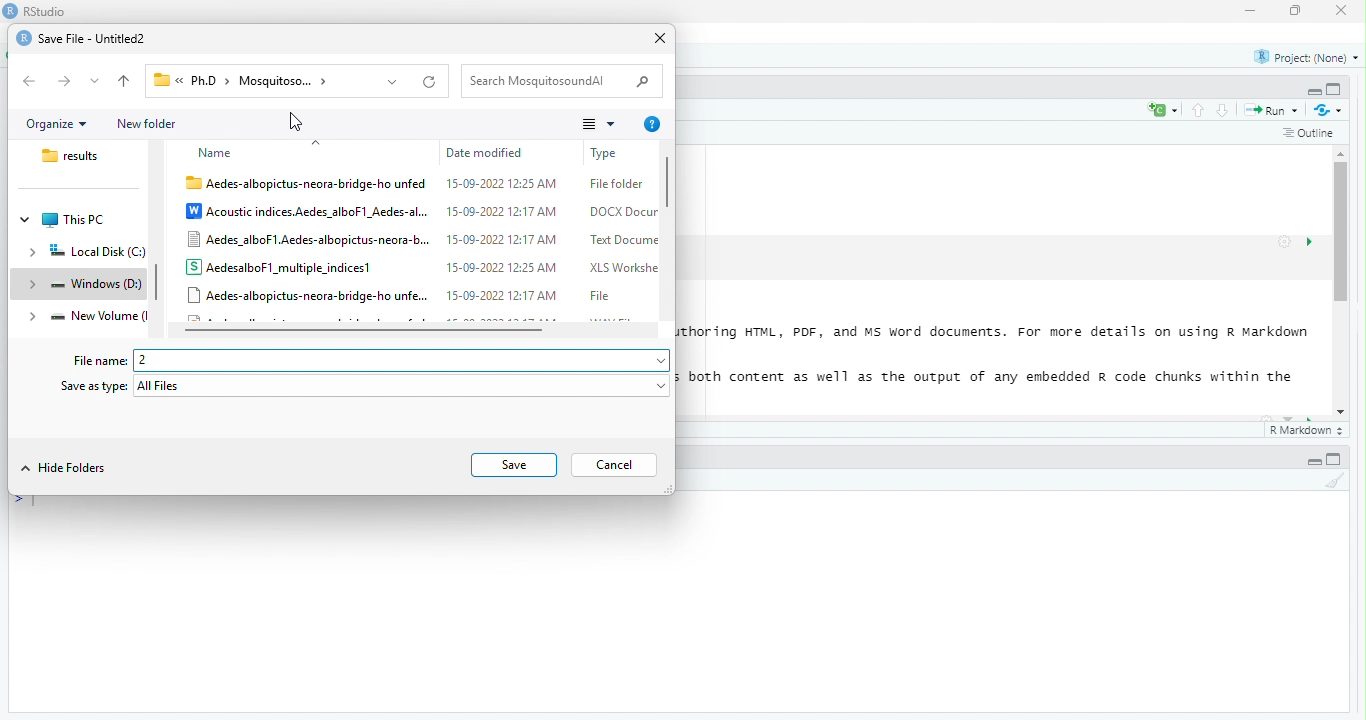 The image size is (1366, 720). Describe the element at coordinates (394, 386) in the screenshot. I see `All Files` at that location.